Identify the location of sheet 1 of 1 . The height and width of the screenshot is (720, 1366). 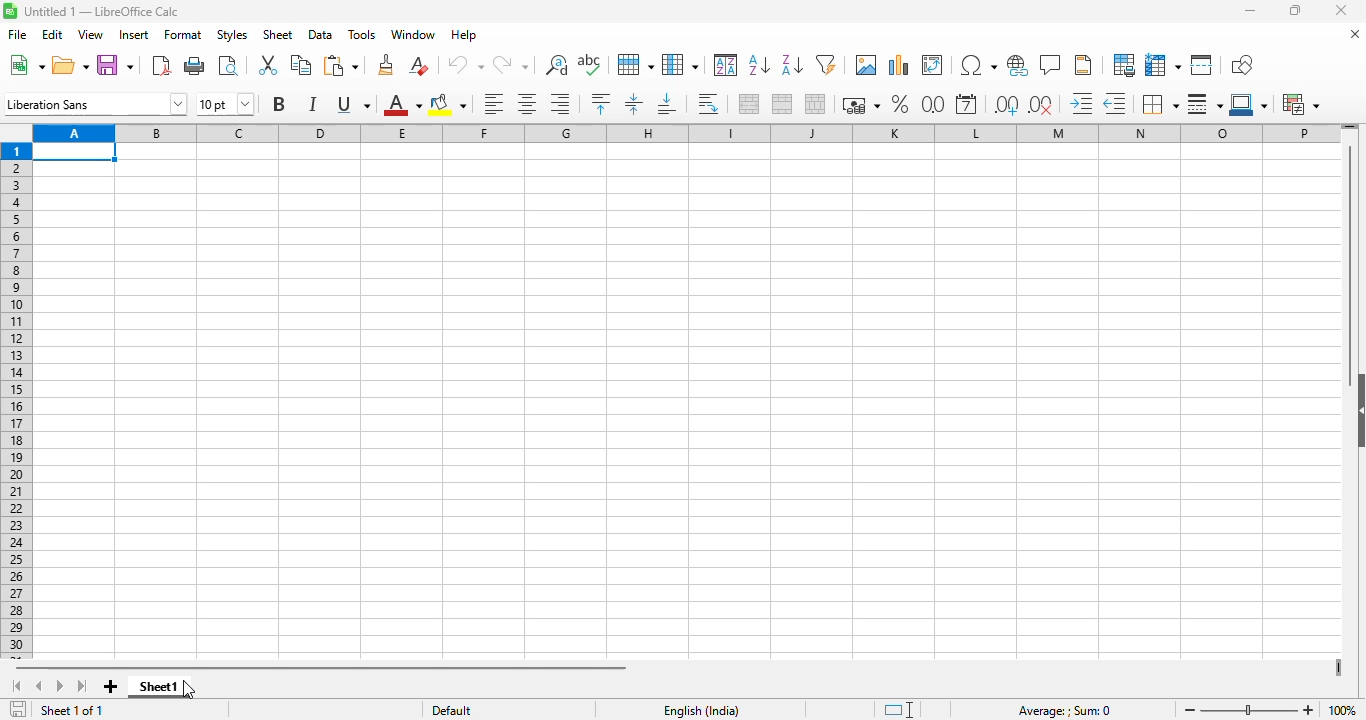
(73, 710).